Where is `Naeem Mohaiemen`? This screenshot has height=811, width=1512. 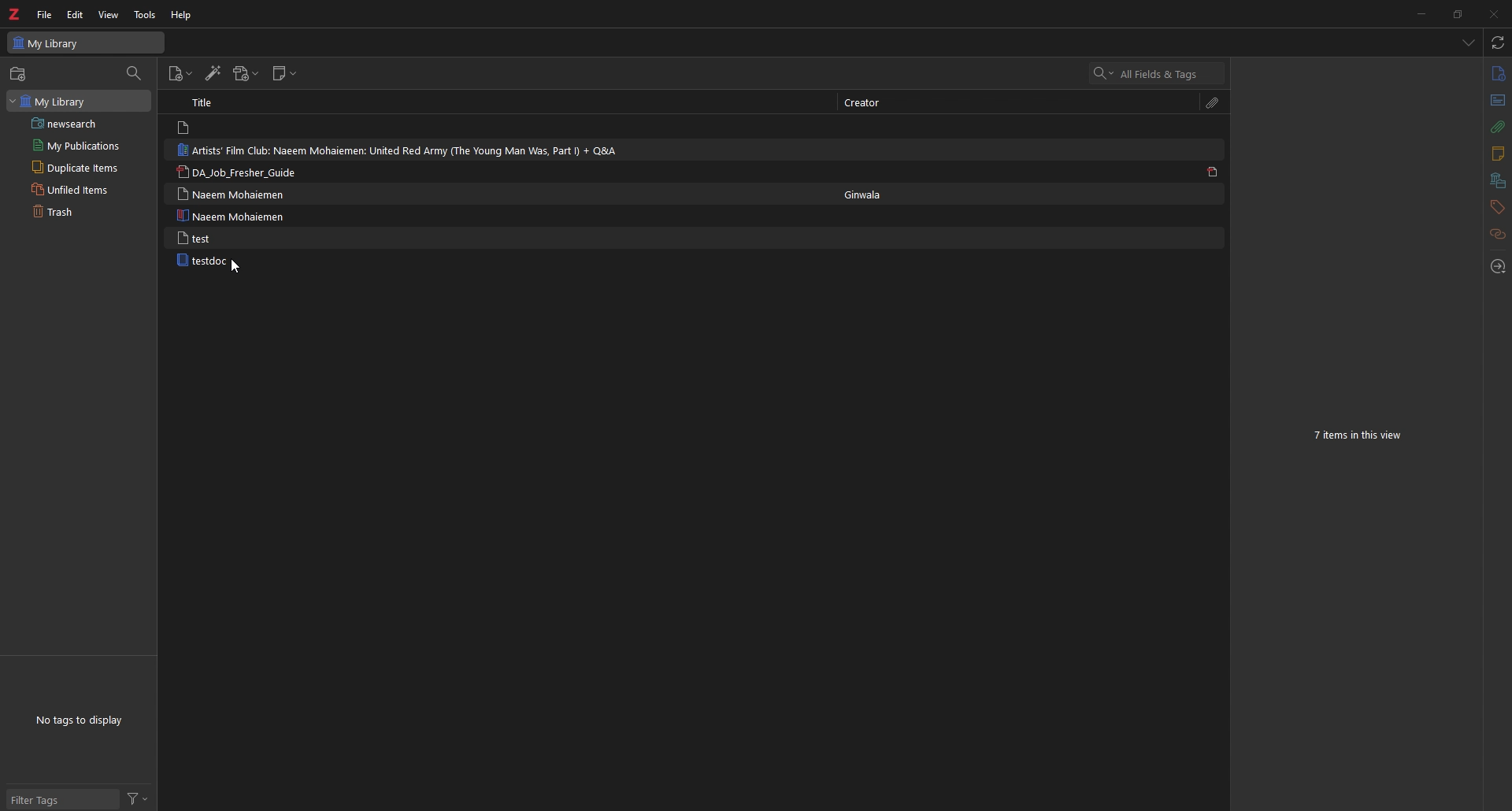
Naeem Mohaiemen is located at coordinates (235, 216).